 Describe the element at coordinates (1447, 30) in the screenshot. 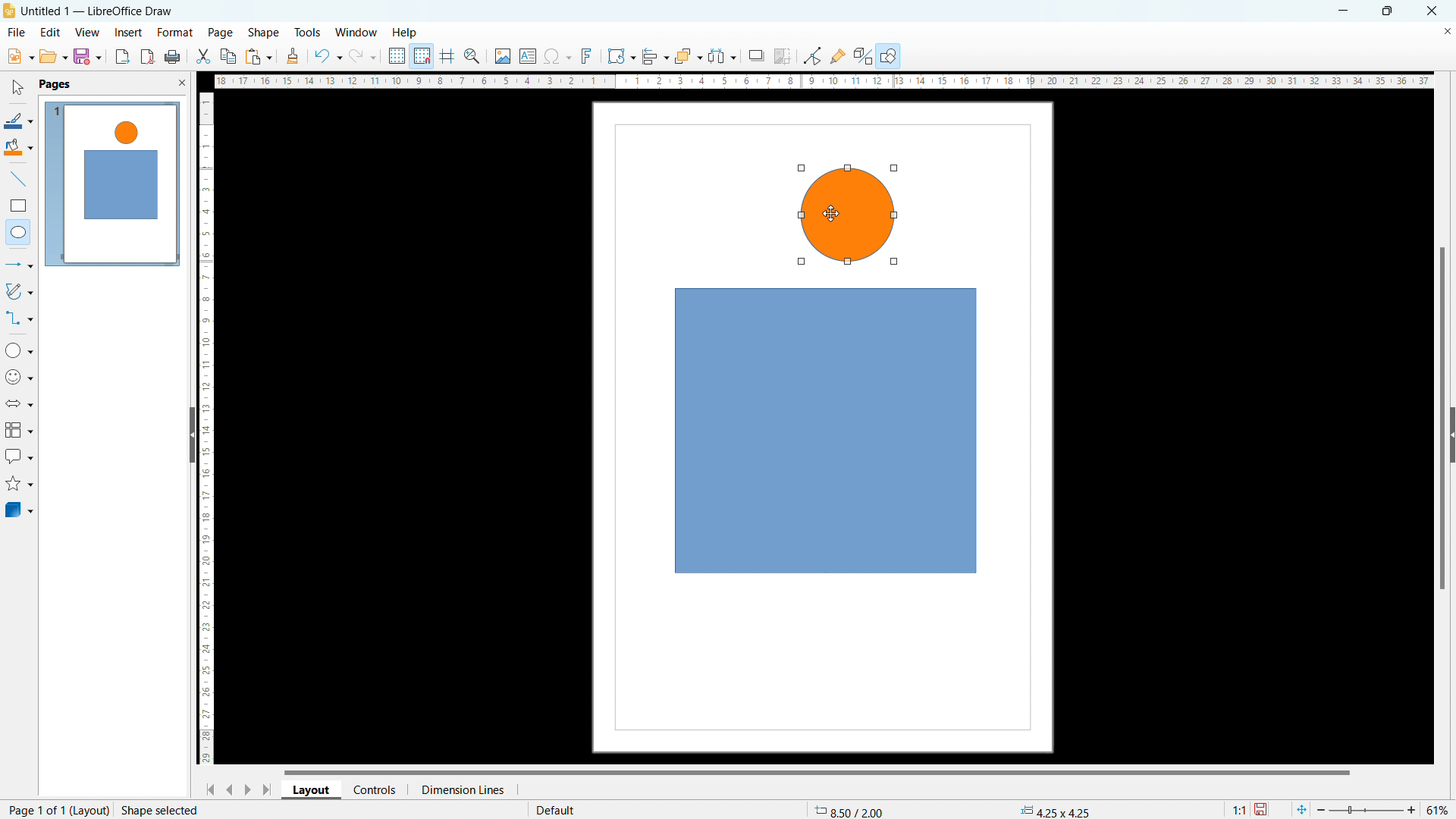

I see `close document` at that location.